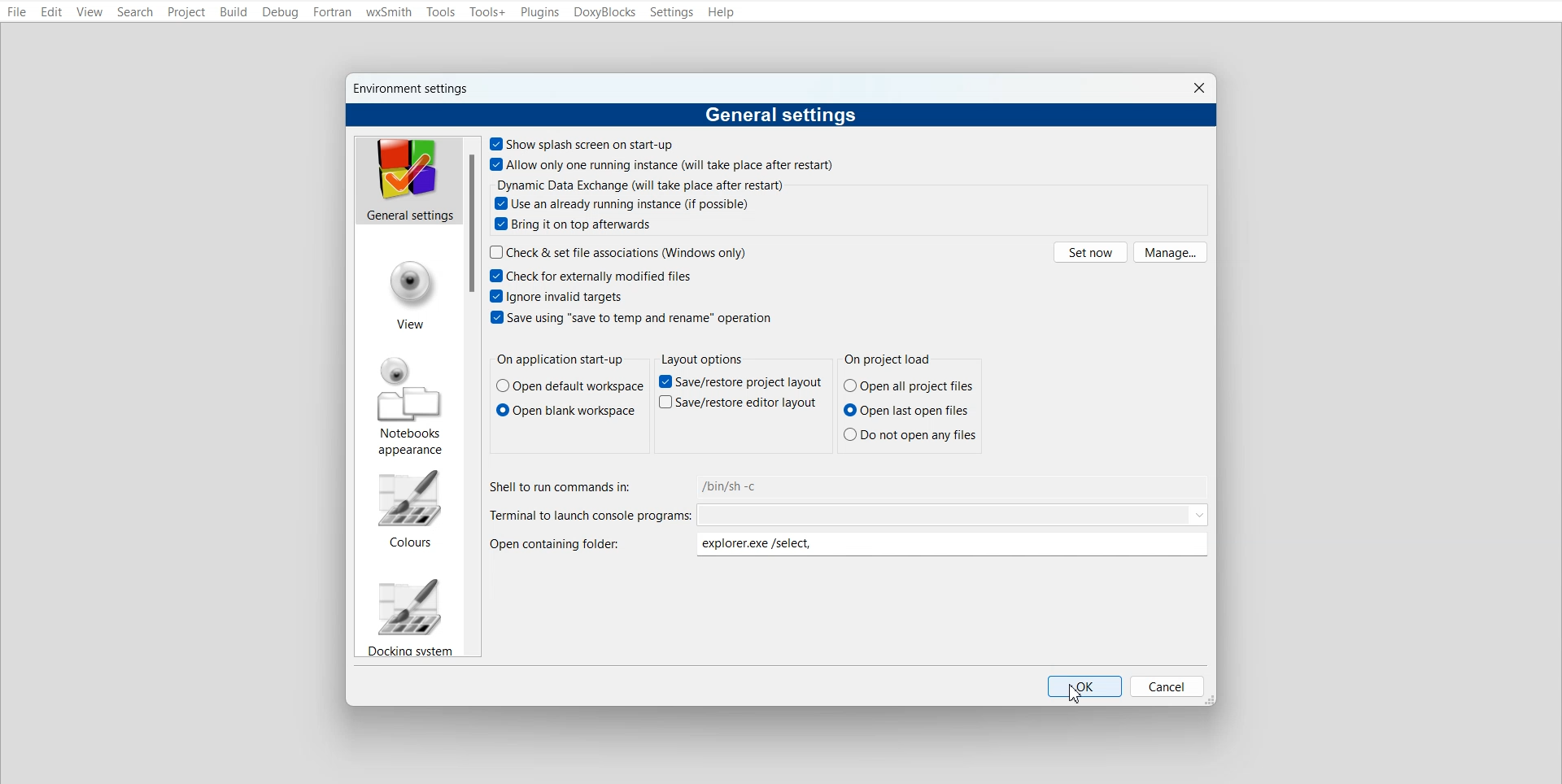  Describe the element at coordinates (332, 12) in the screenshot. I see `Fortran` at that location.